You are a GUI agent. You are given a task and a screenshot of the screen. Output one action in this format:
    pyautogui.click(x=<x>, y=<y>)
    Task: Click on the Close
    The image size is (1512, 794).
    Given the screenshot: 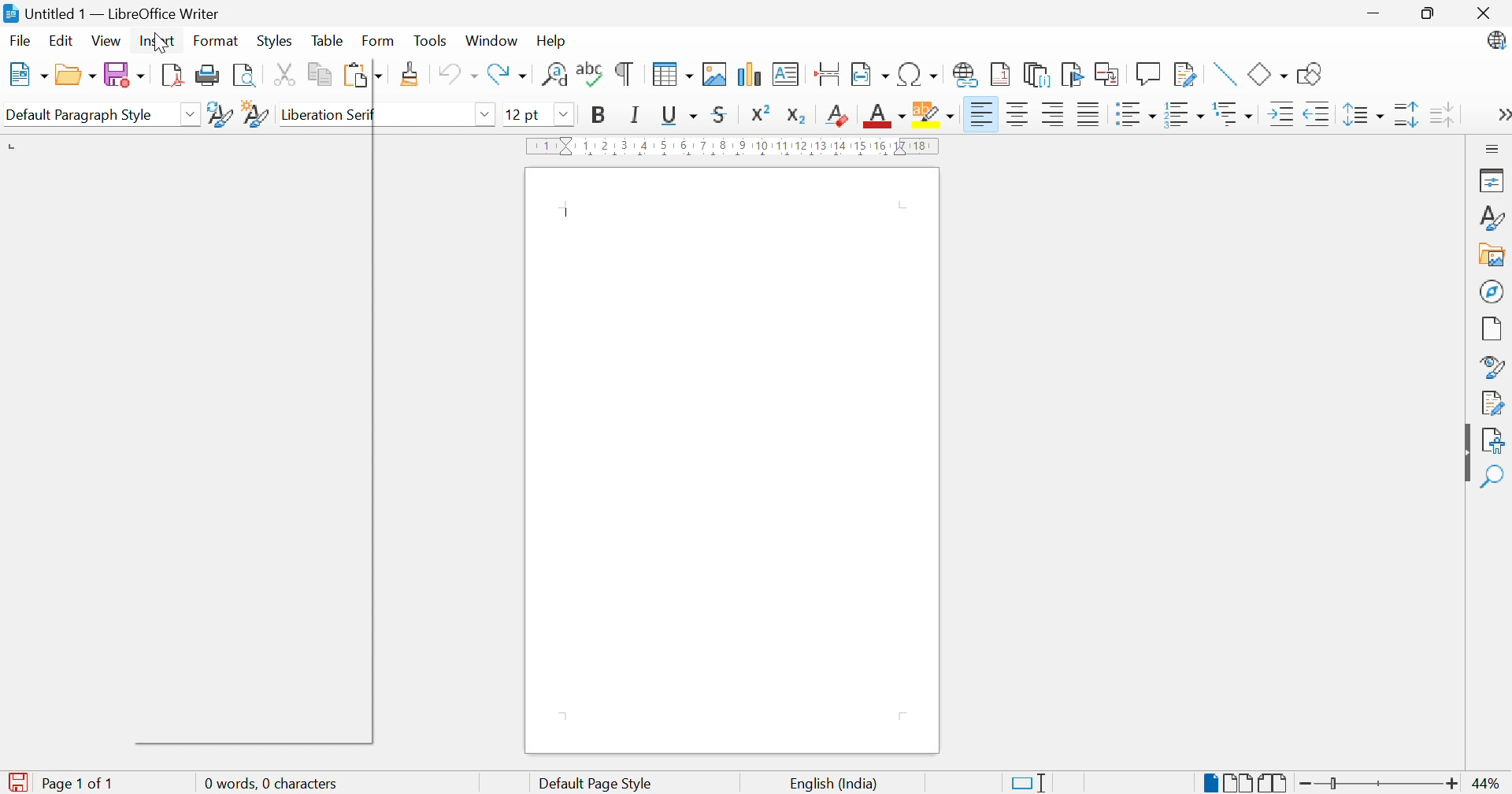 What is the action you would take?
    pyautogui.click(x=1484, y=14)
    